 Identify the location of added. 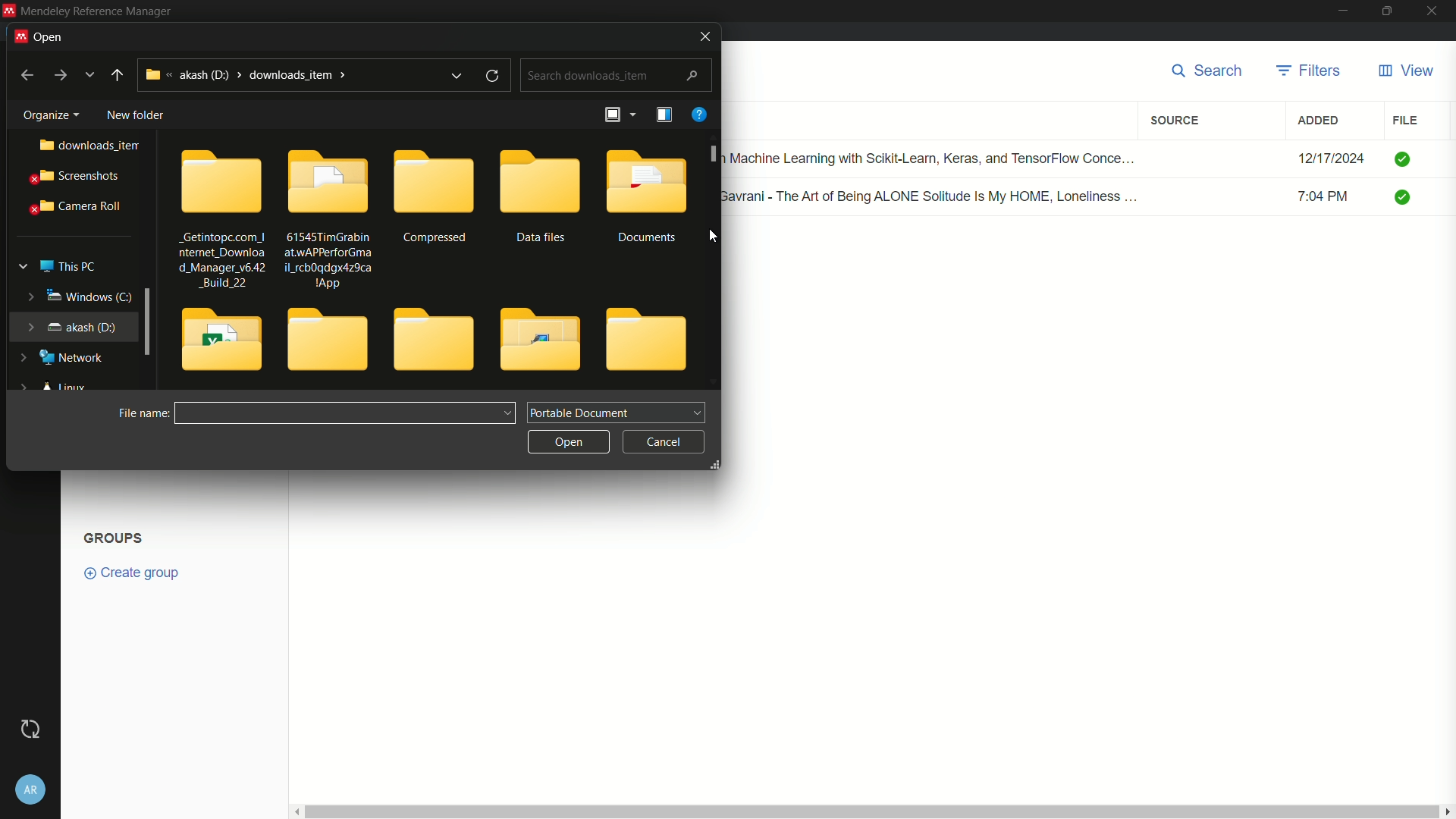
(1319, 121).